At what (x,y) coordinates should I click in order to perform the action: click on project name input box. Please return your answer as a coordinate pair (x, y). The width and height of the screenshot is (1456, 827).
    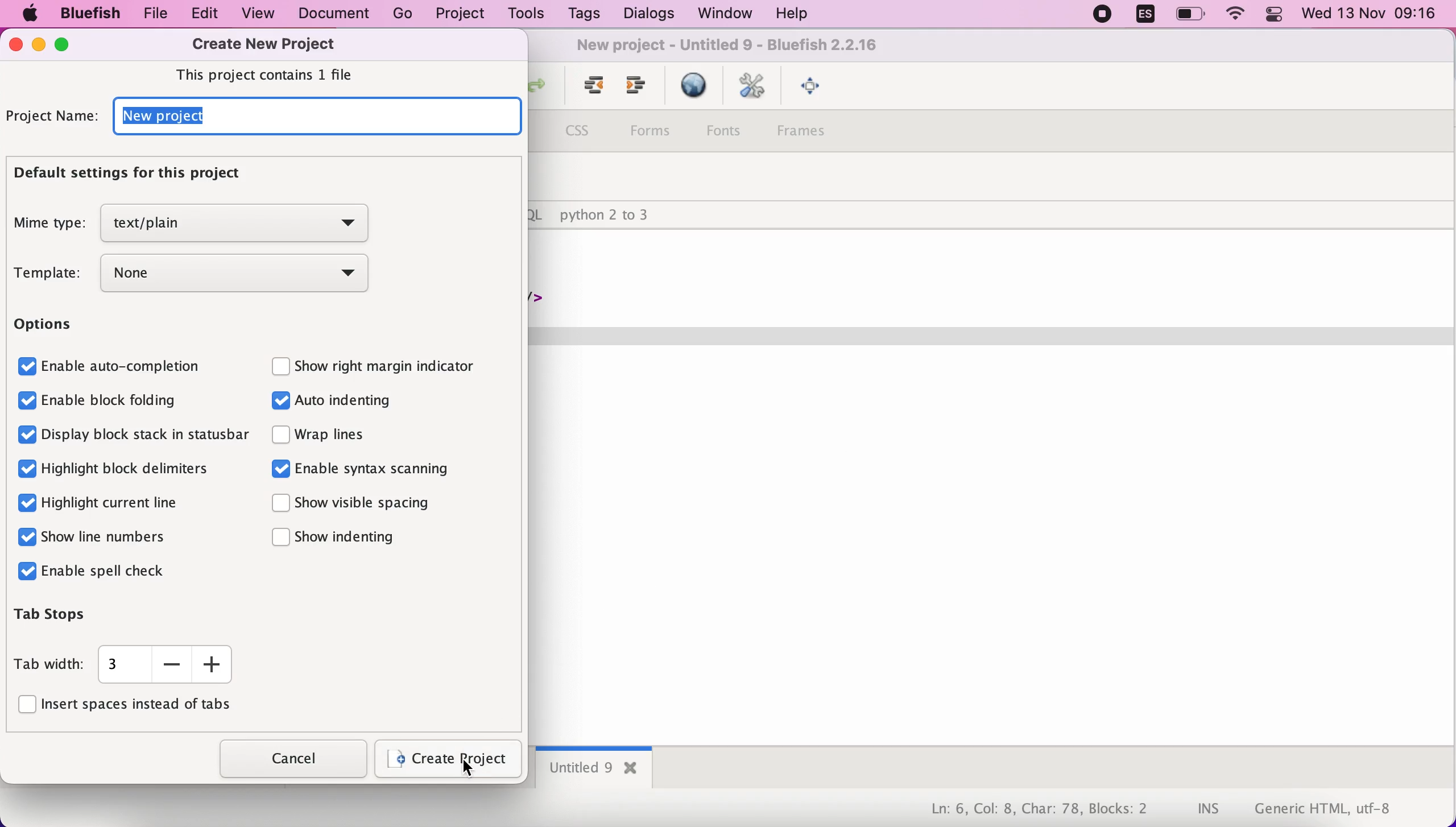
    Looking at the image, I should click on (314, 119).